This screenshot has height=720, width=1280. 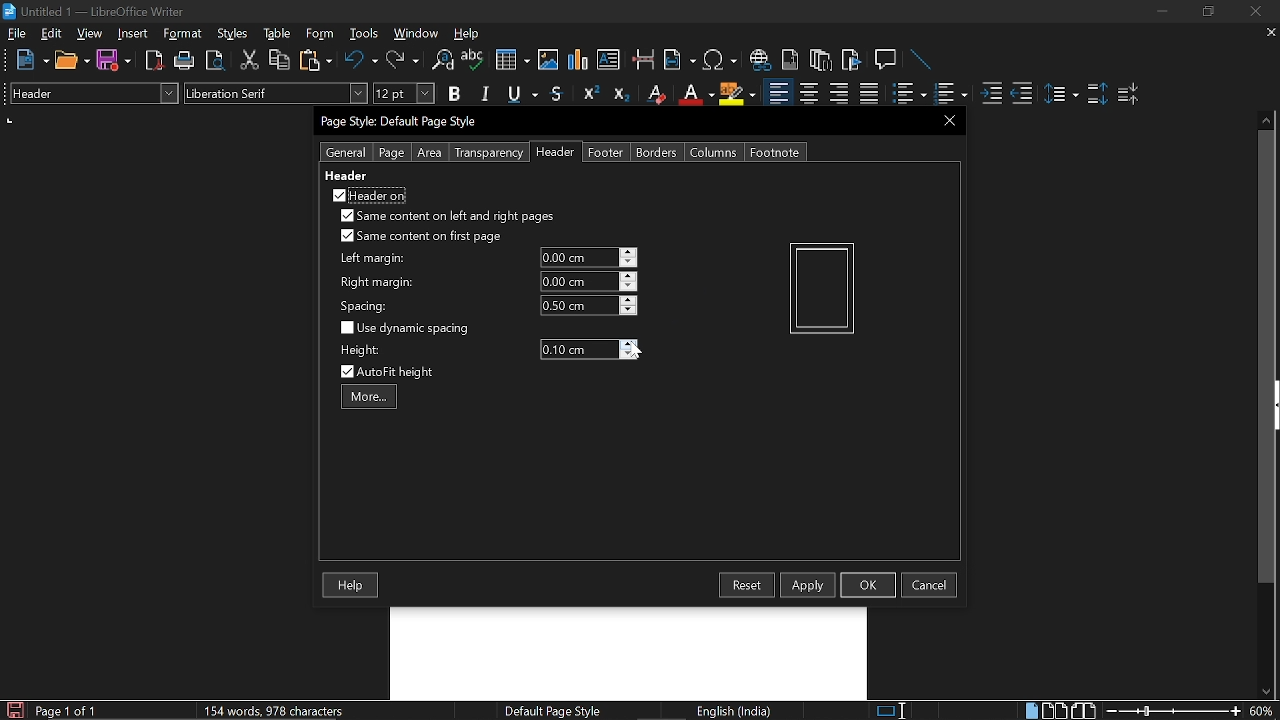 What do you see at coordinates (1086, 710) in the screenshot?
I see `Book view` at bounding box center [1086, 710].